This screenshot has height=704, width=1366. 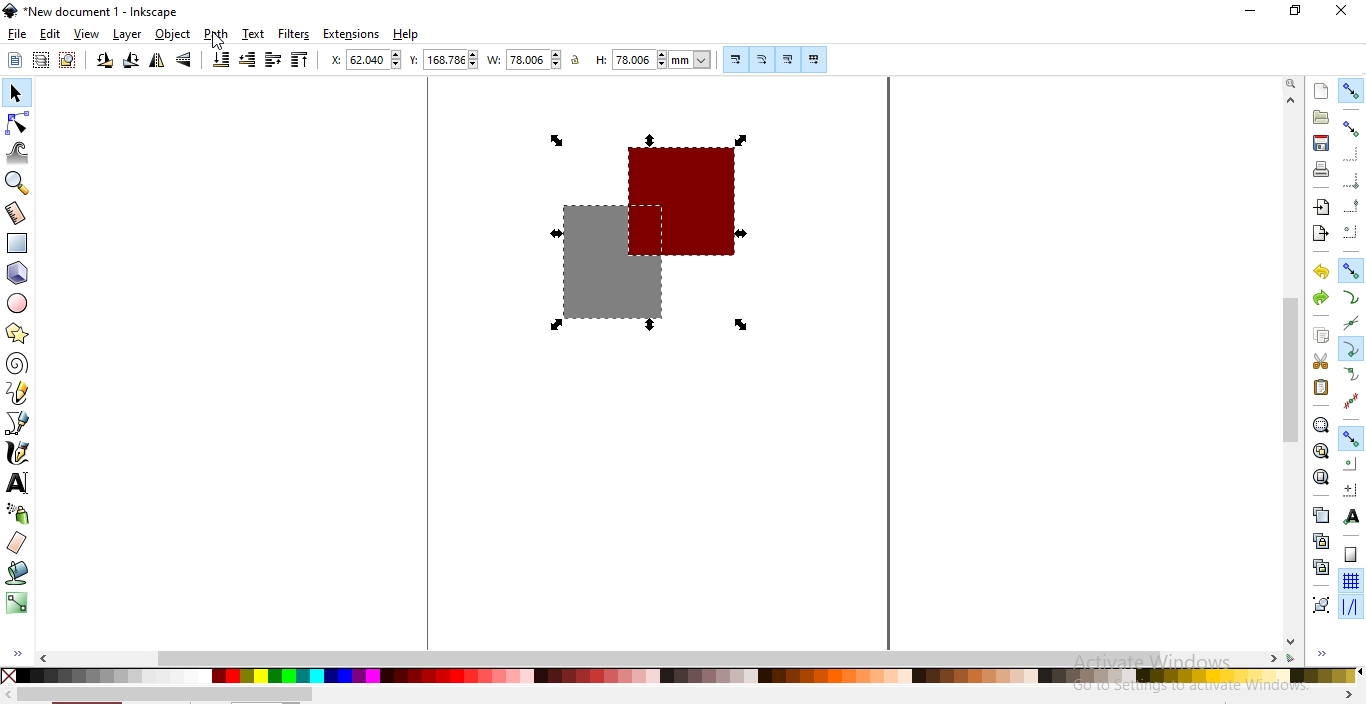 What do you see at coordinates (1352, 178) in the screenshot?
I see `snap bounding box corners` at bounding box center [1352, 178].